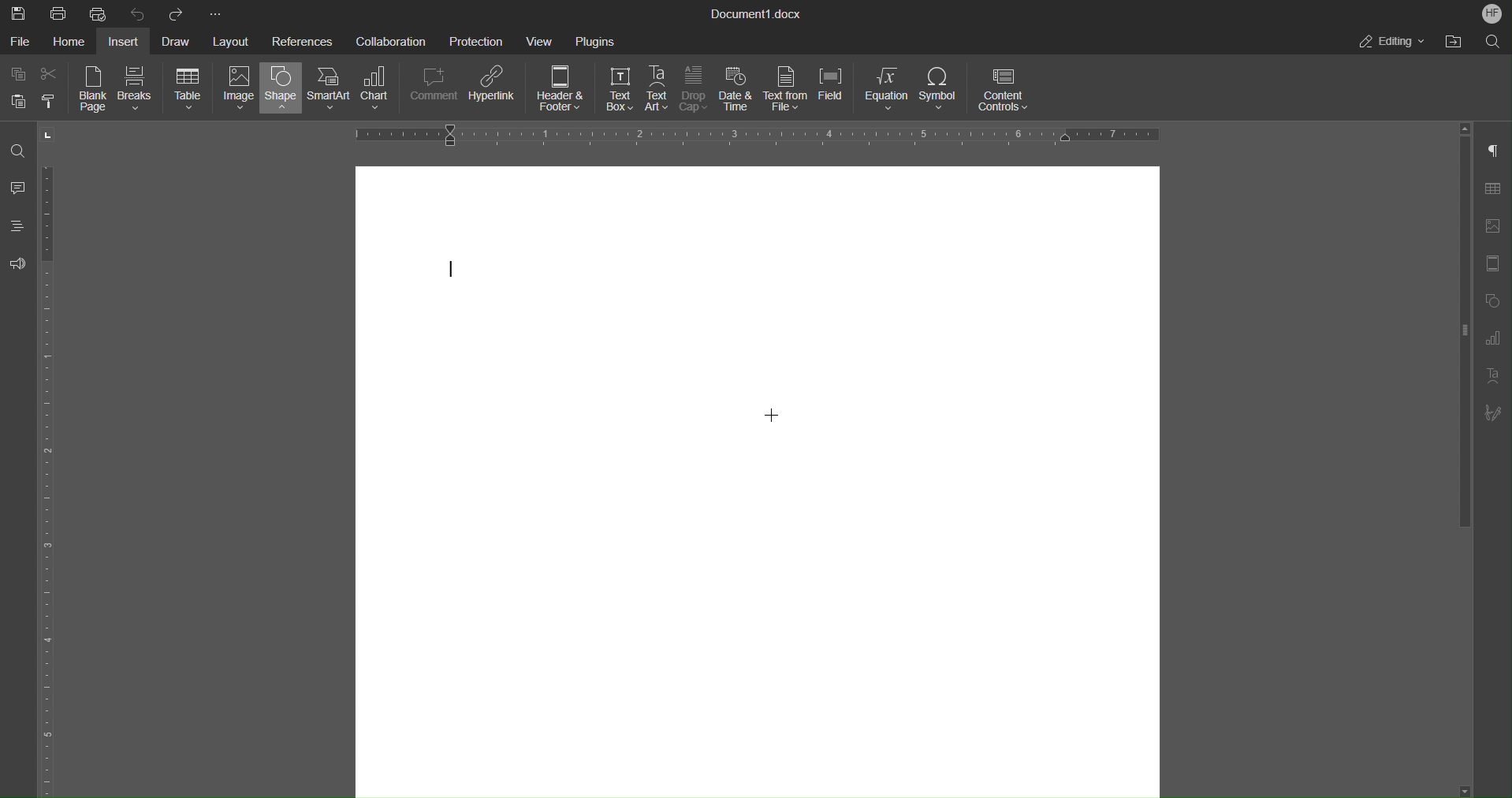 The width and height of the screenshot is (1512, 798). What do you see at coordinates (1499, 413) in the screenshot?
I see `Signature` at bounding box center [1499, 413].